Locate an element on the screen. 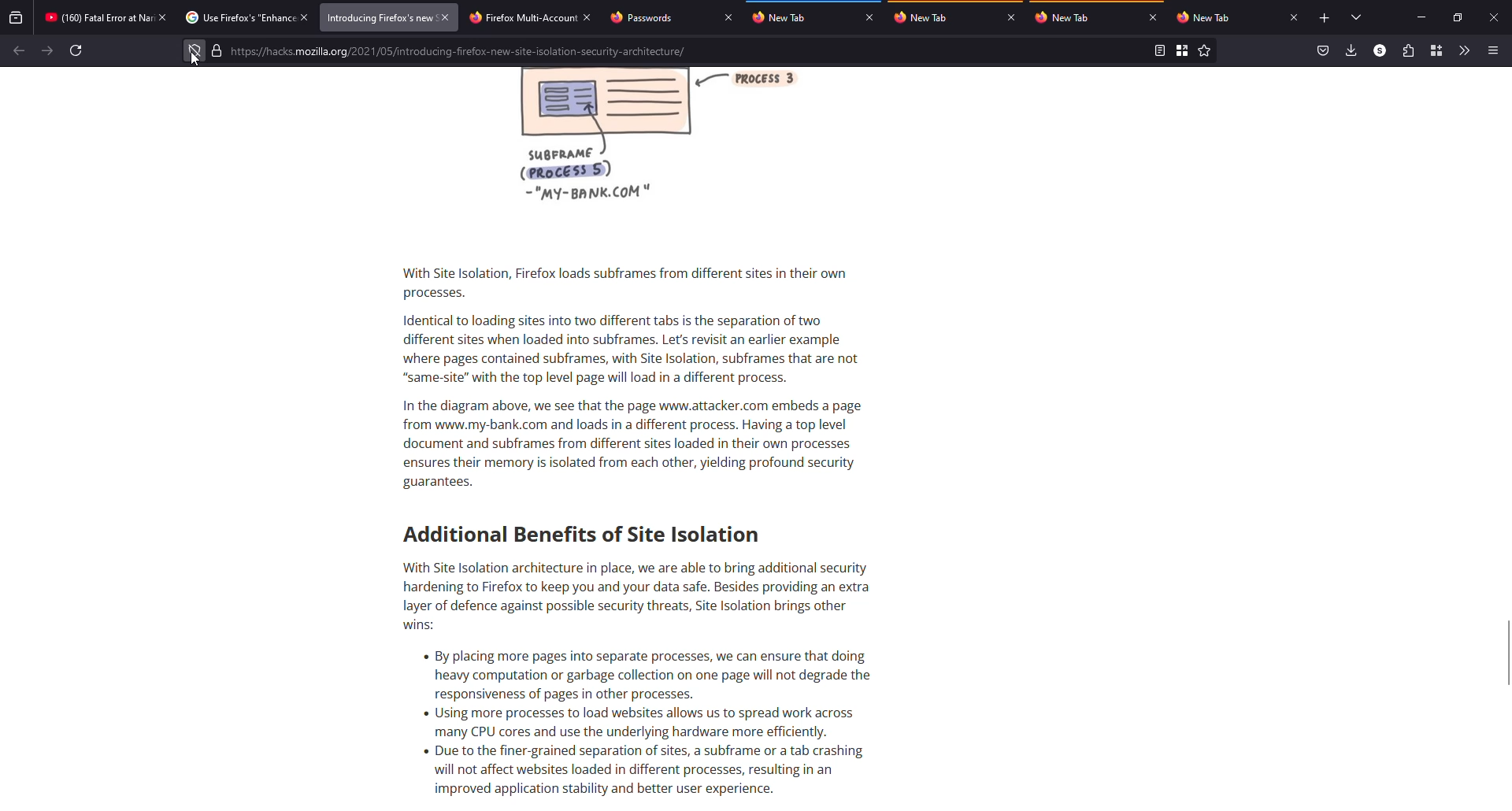 This screenshot has width=1512, height=811. website description is located at coordinates (627, 435).